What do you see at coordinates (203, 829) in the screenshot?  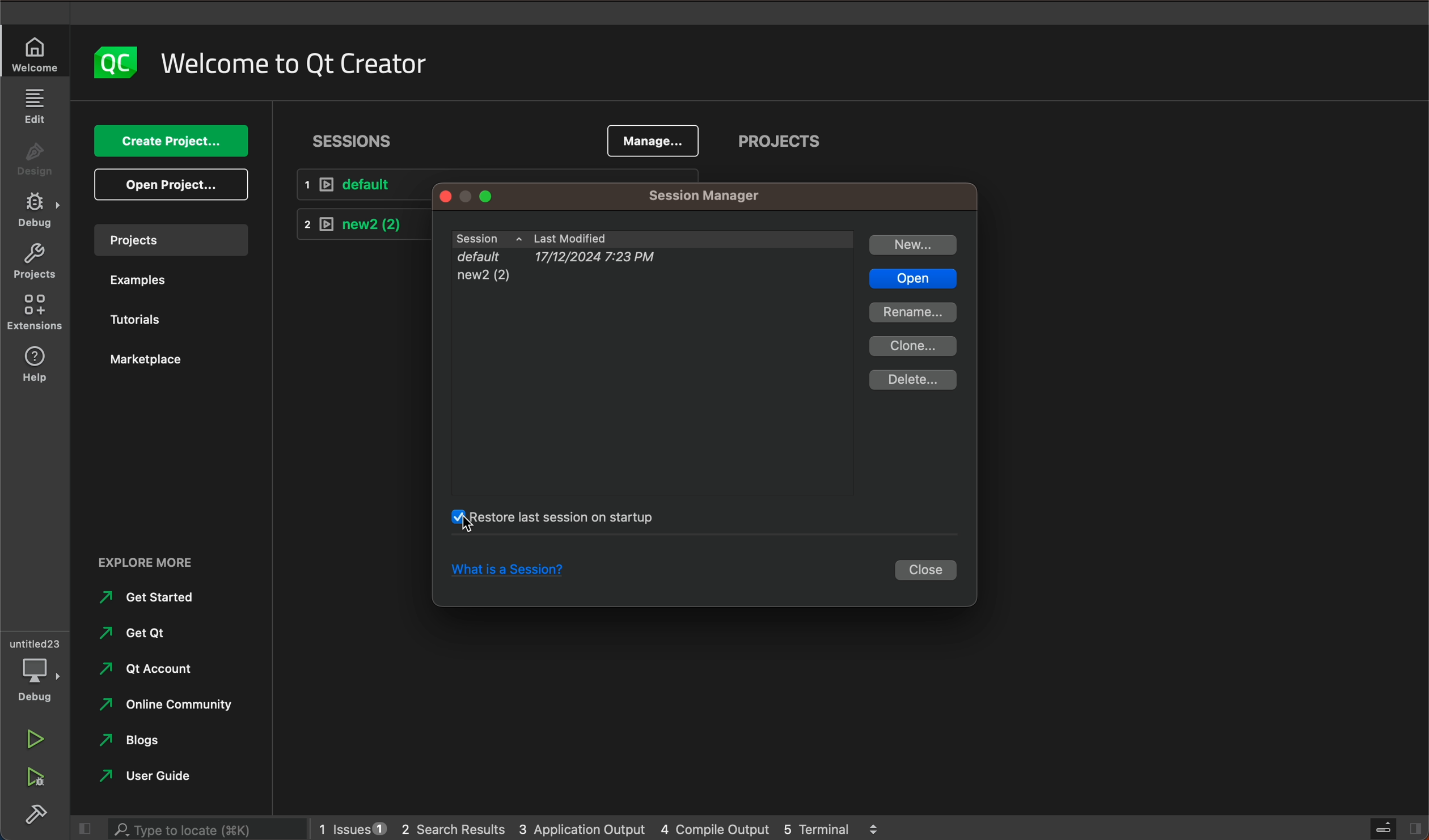 I see `search` at bounding box center [203, 829].